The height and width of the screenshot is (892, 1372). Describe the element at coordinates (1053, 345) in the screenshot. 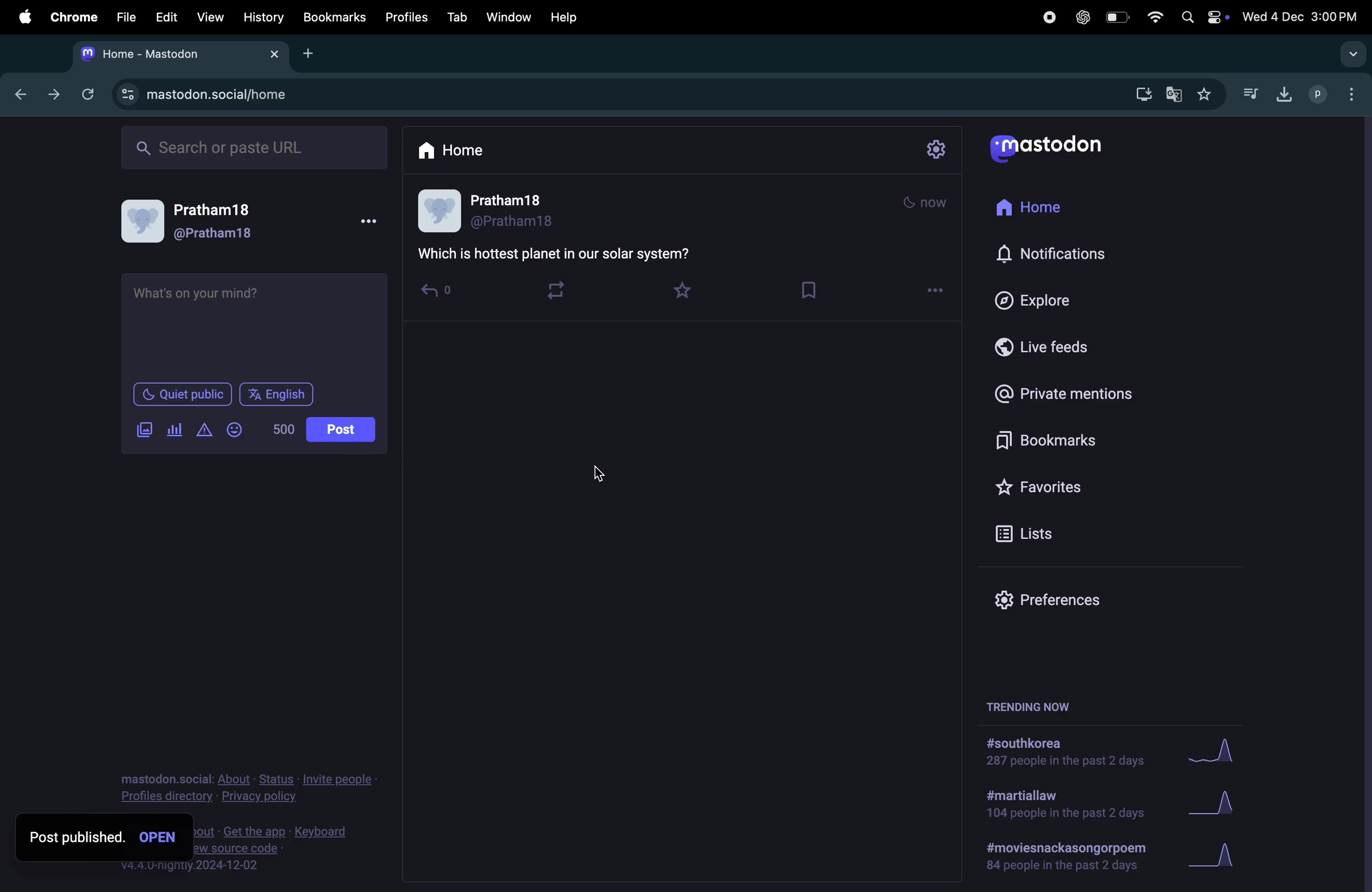

I see `live feeds` at that location.